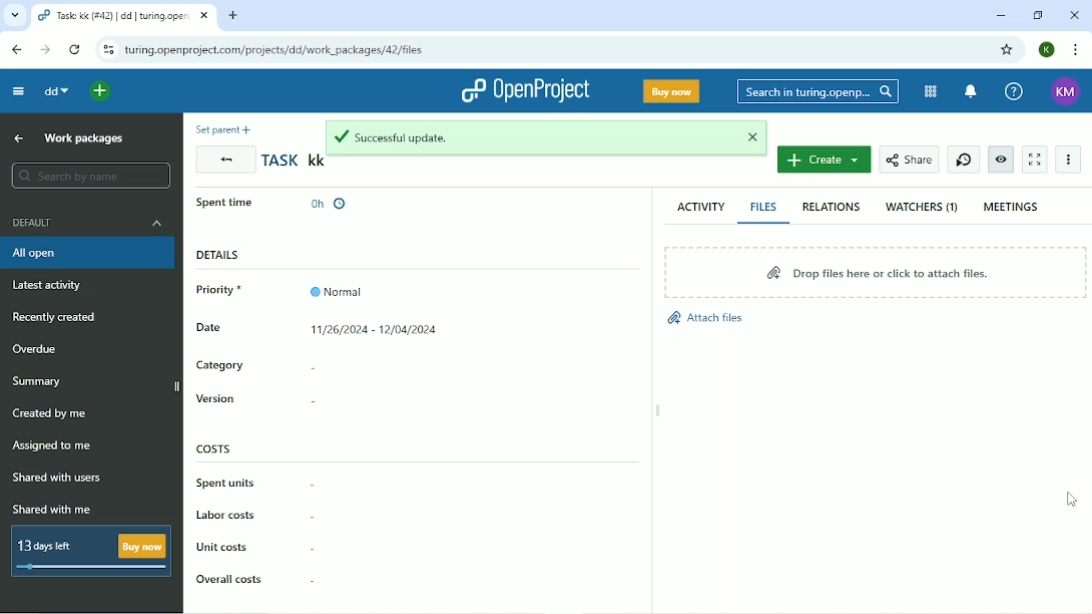  Describe the element at coordinates (1039, 16) in the screenshot. I see `Restore down` at that location.